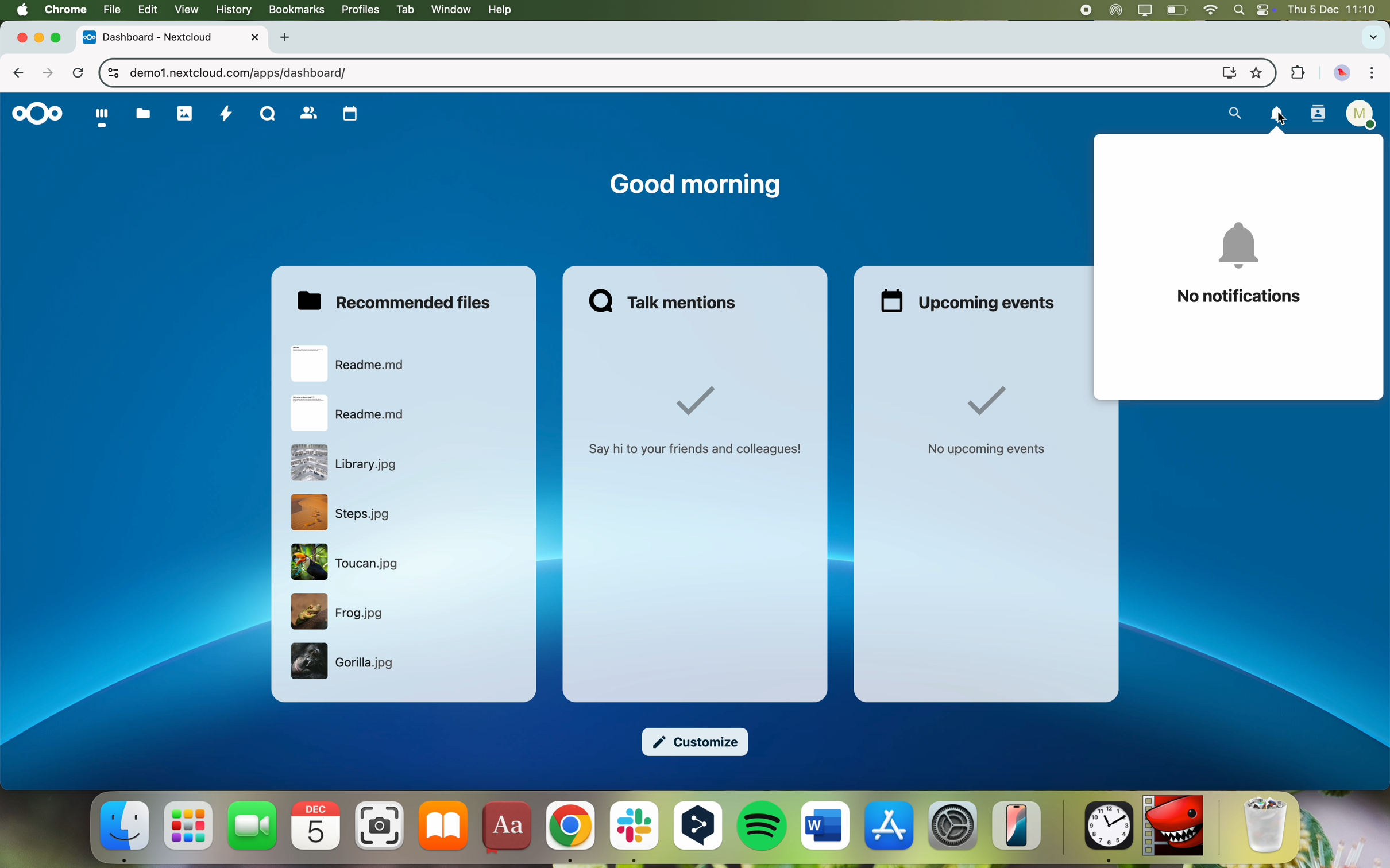 The height and width of the screenshot is (868, 1390). What do you see at coordinates (142, 114) in the screenshot?
I see `documents` at bounding box center [142, 114].